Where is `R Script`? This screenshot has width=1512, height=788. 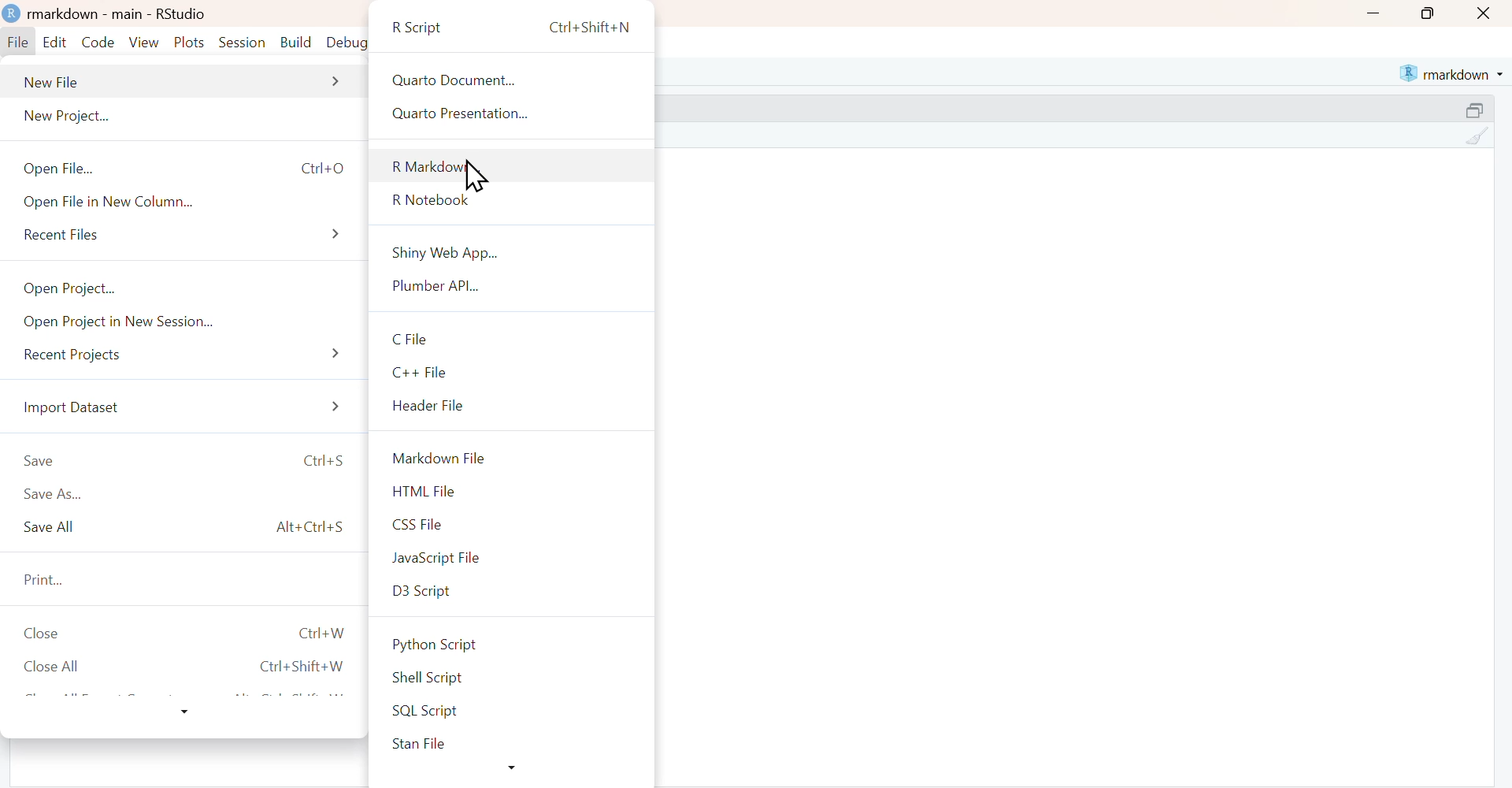 R Script is located at coordinates (515, 24).